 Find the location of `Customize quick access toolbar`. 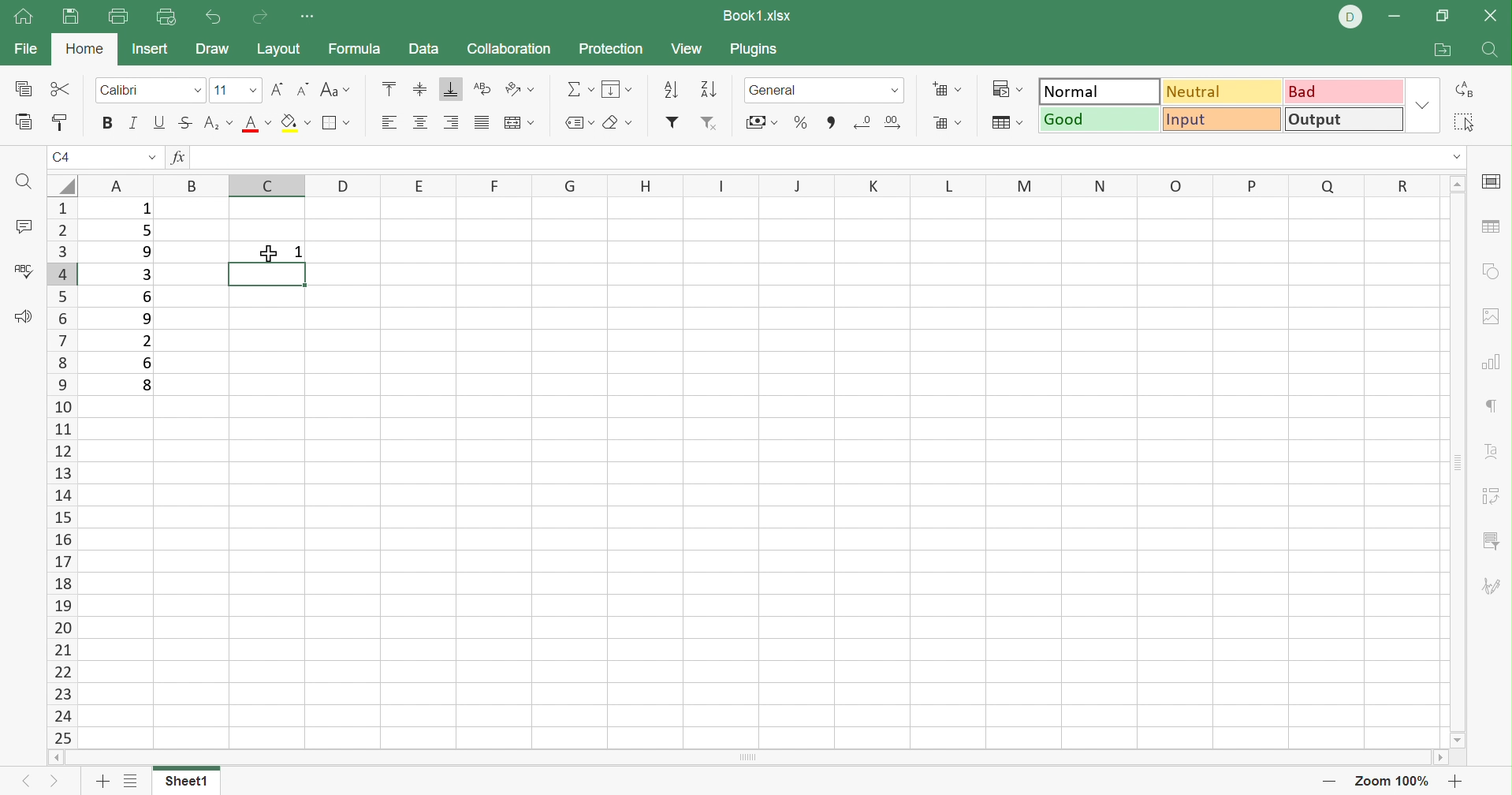

Customize quick access toolbar is located at coordinates (313, 18).